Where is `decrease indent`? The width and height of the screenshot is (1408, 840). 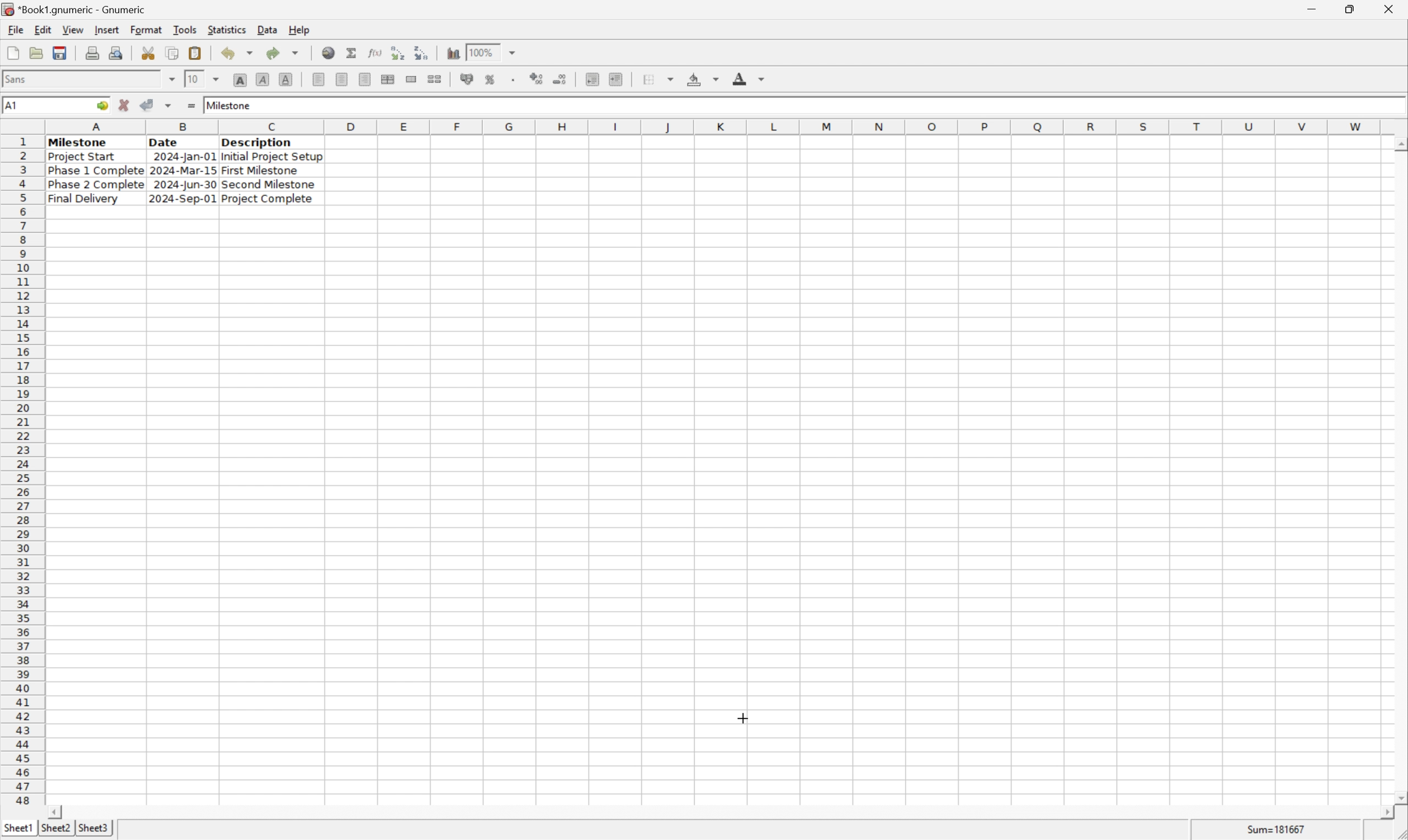 decrease indent is located at coordinates (592, 80).